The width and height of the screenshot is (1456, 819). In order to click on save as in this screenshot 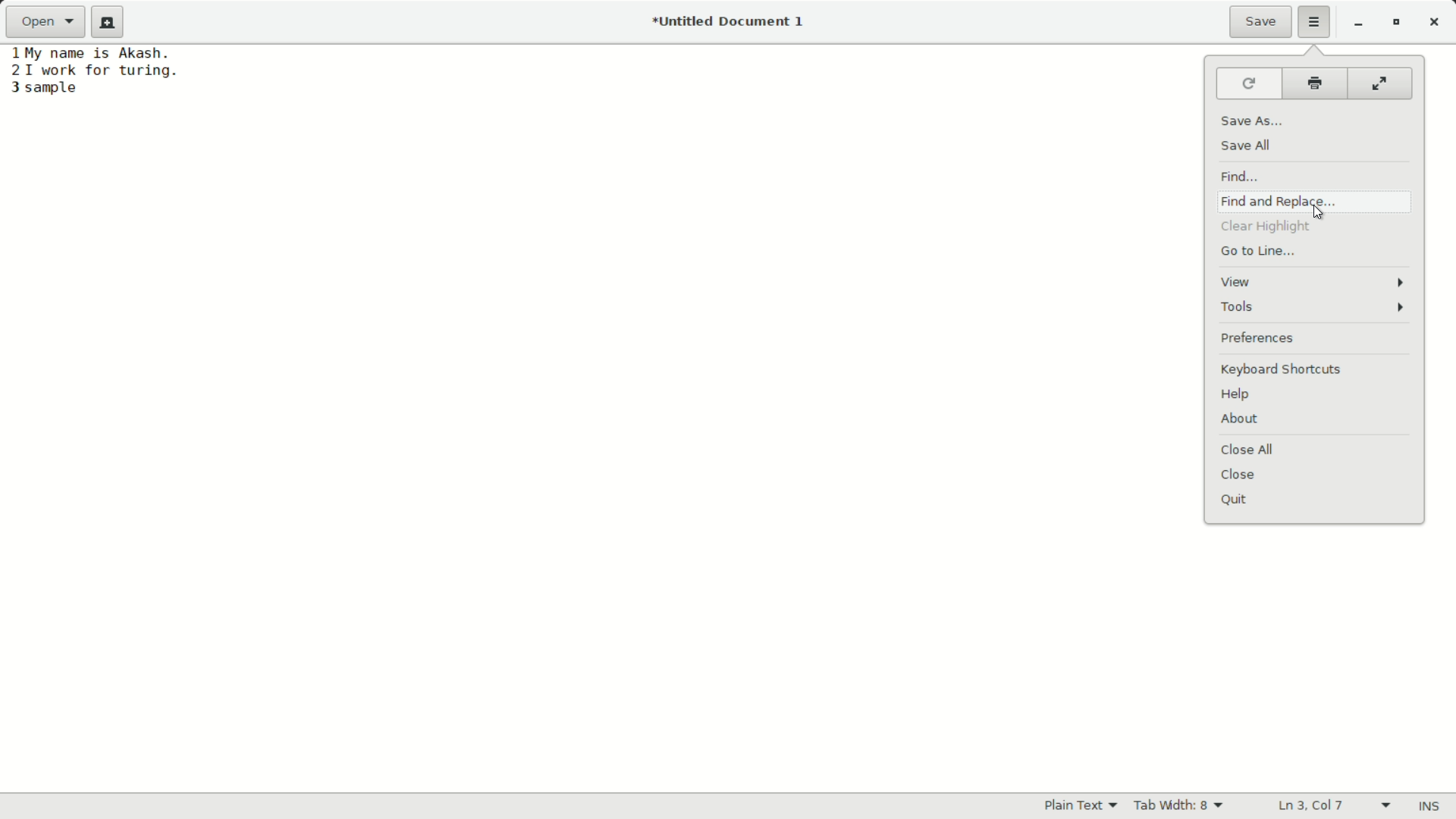, I will do `click(1254, 118)`.